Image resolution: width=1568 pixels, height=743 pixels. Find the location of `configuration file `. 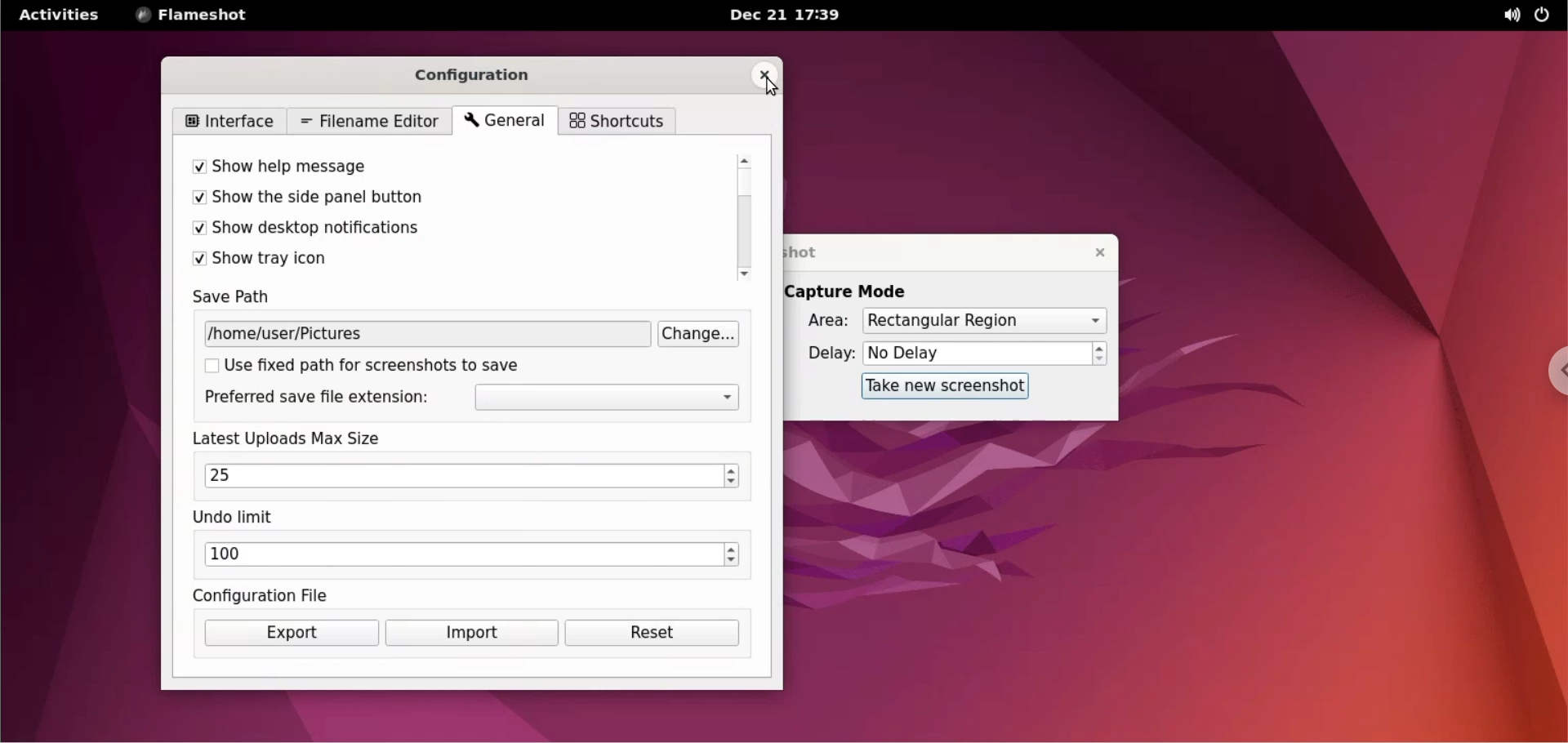

configuration file  is located at coordinates (266, 595).